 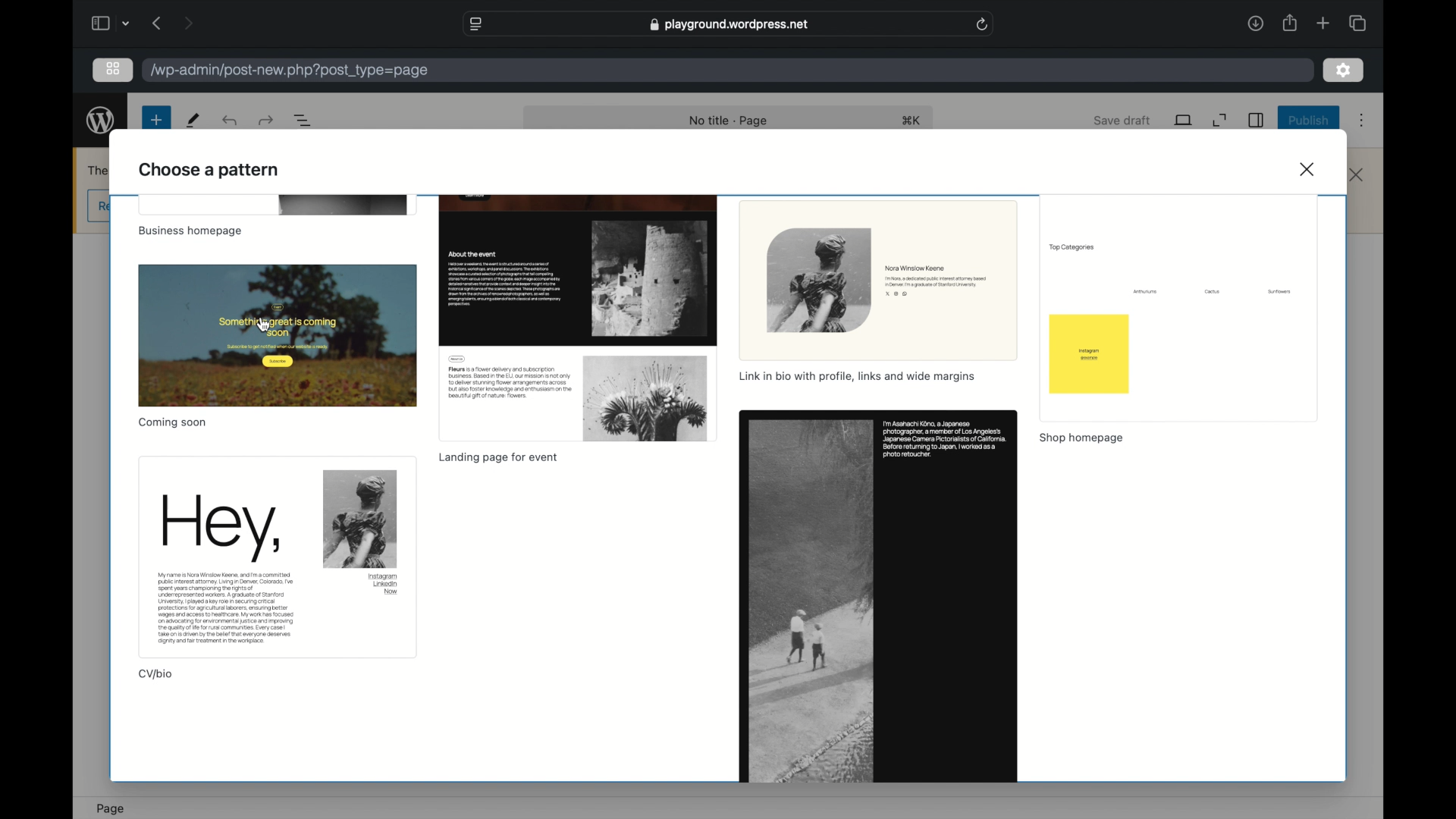 What do you see at coordinates (96, 169) in the screenshot?
I see `obscure text` at bounding box center [96, 169].